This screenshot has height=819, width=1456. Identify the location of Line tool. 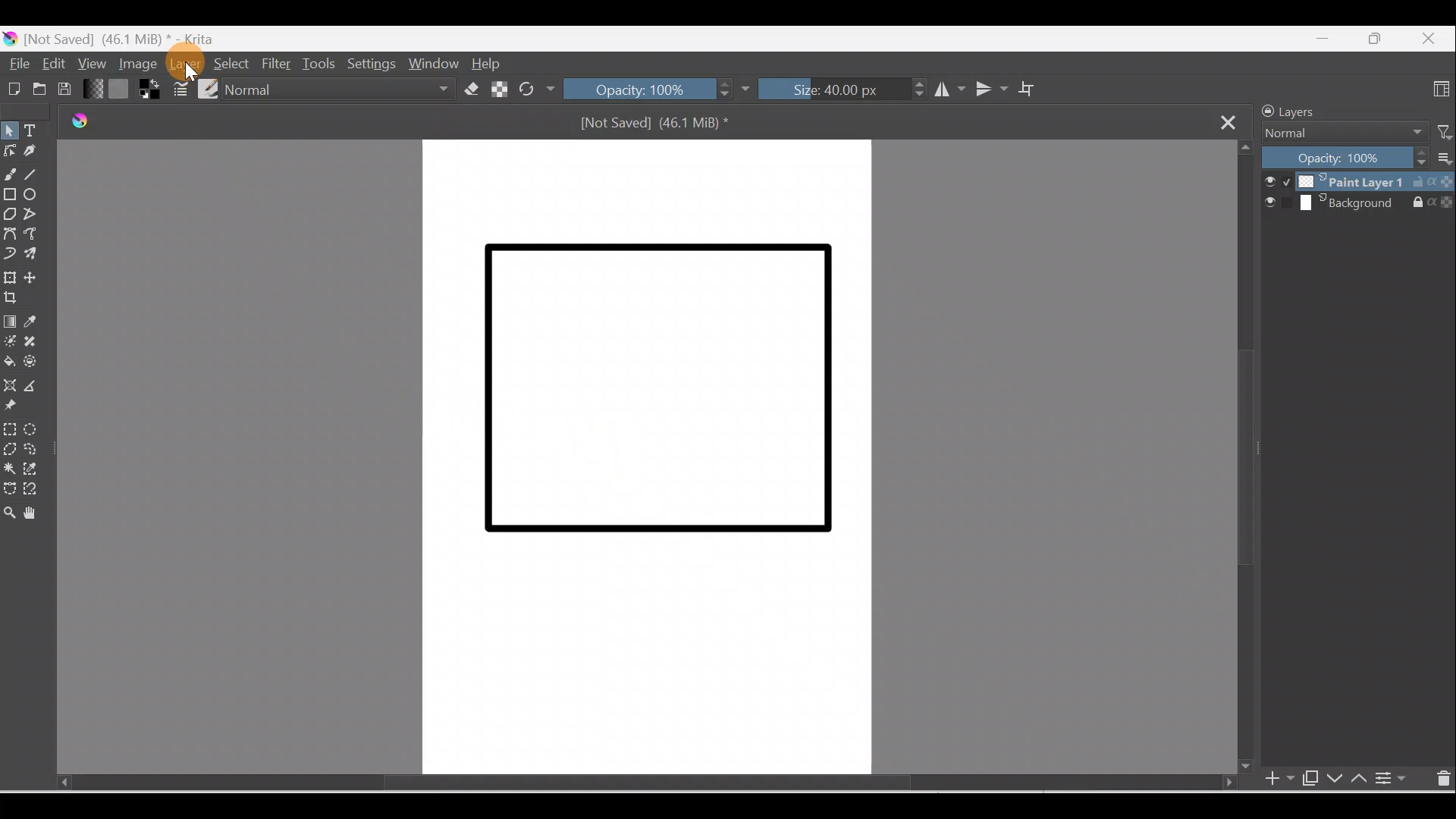
(34, 174).